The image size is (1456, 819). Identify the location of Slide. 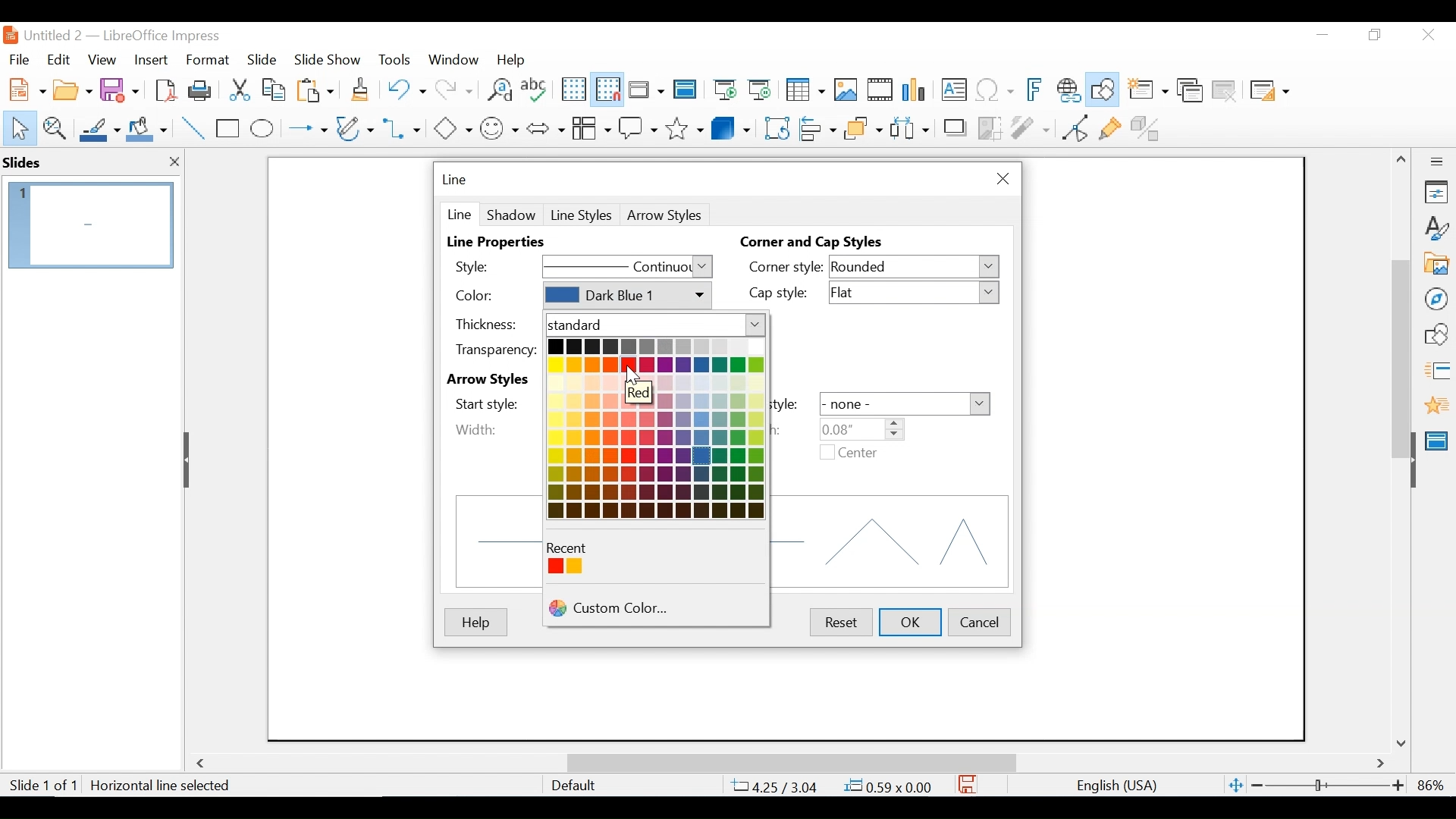
(262, 58).